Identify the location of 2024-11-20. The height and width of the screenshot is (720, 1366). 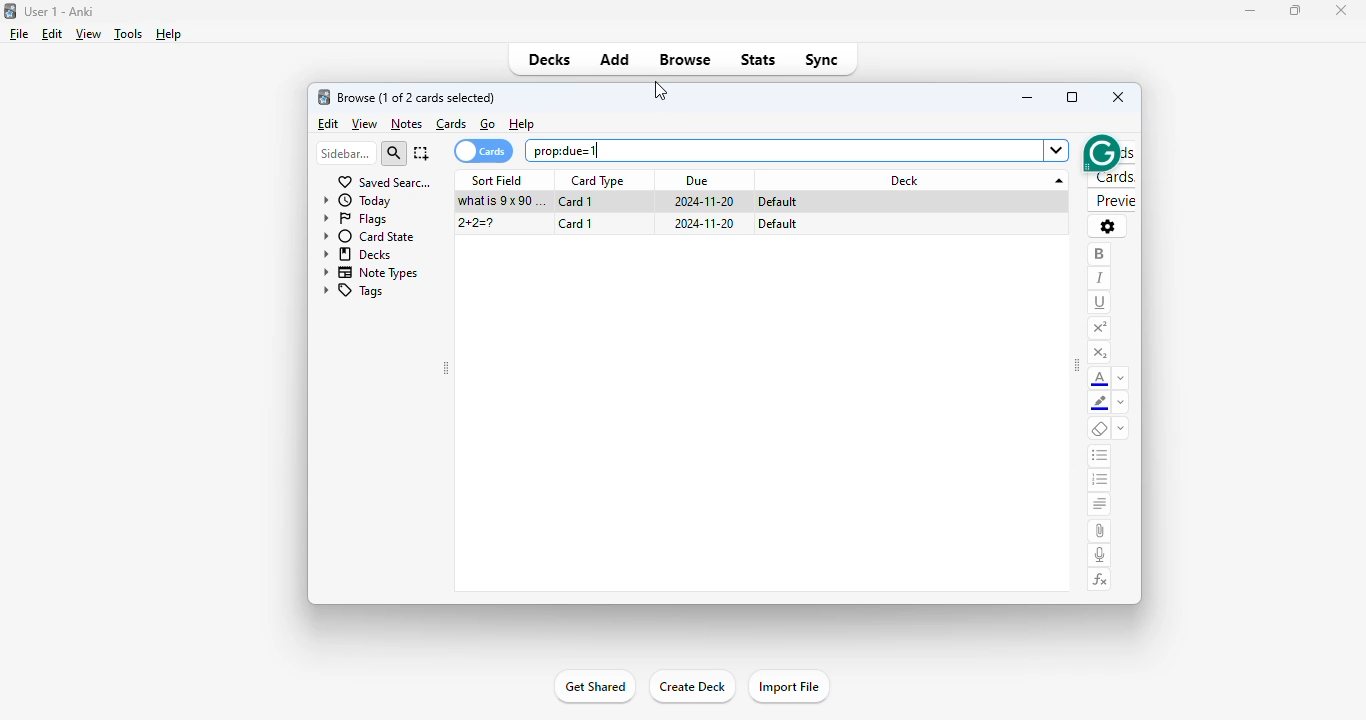
(705, 223).